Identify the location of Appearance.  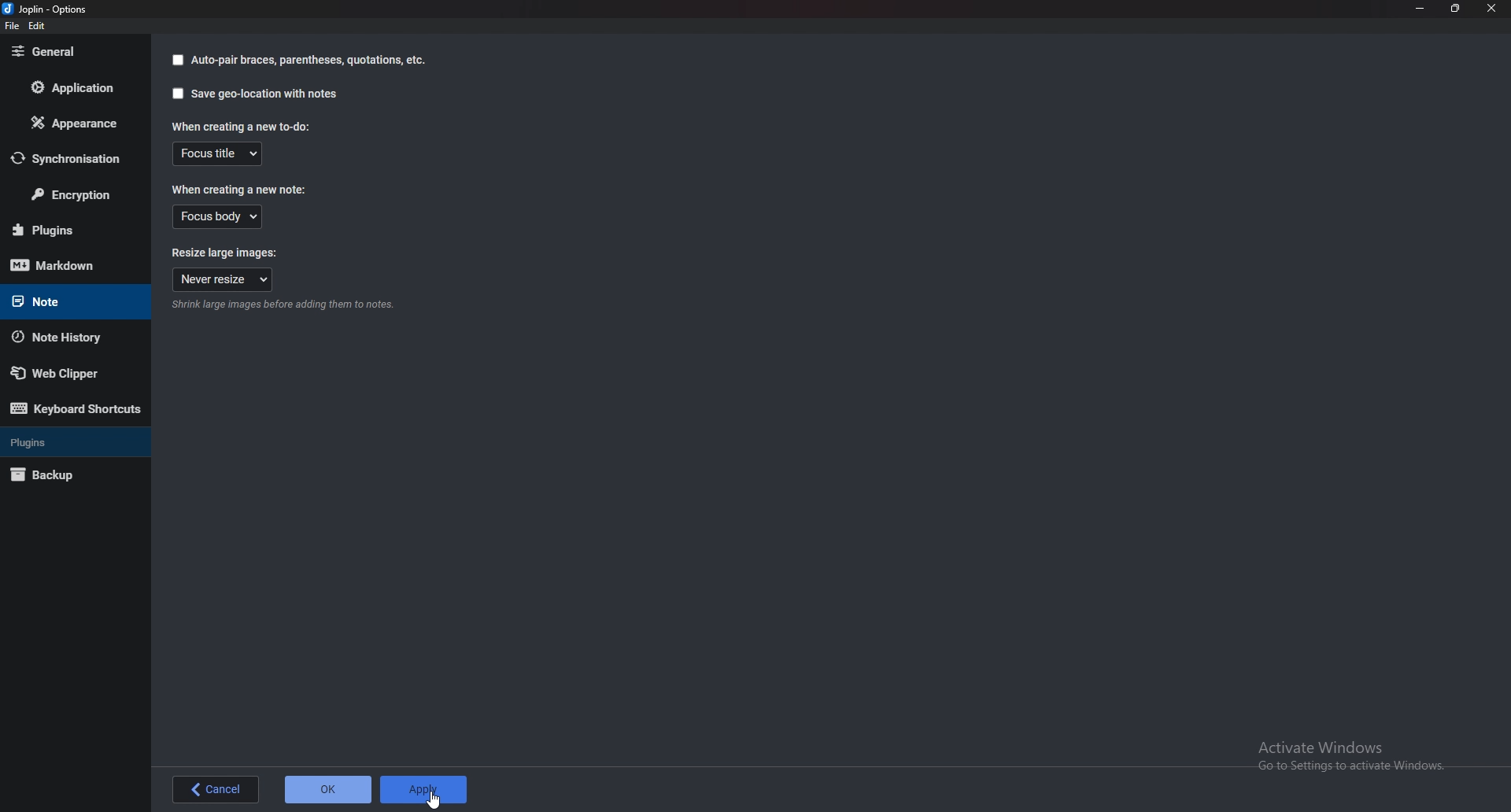
(72, 124).